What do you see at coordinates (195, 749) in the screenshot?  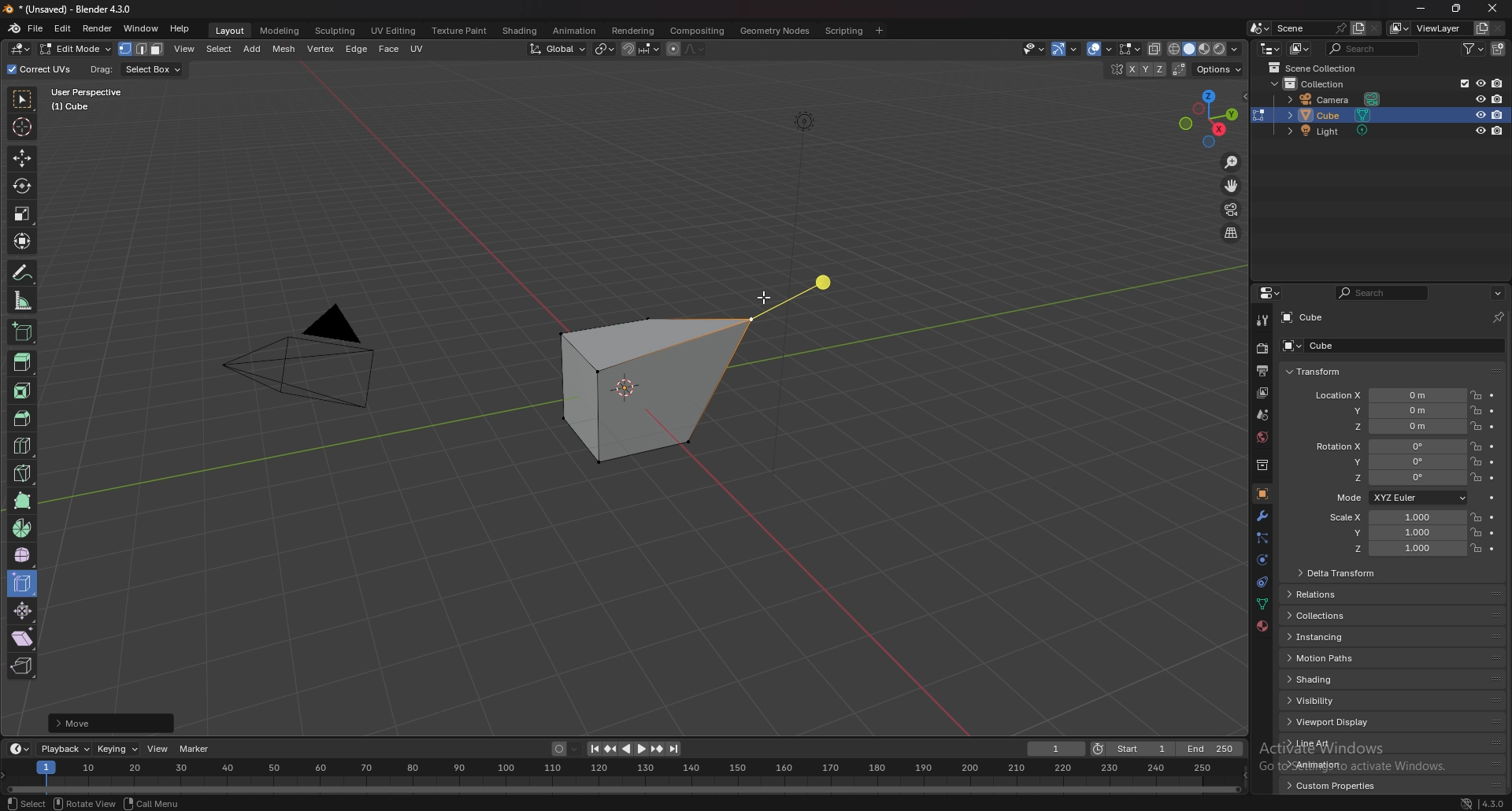 I see `marker` at bounding box center [195, 749].